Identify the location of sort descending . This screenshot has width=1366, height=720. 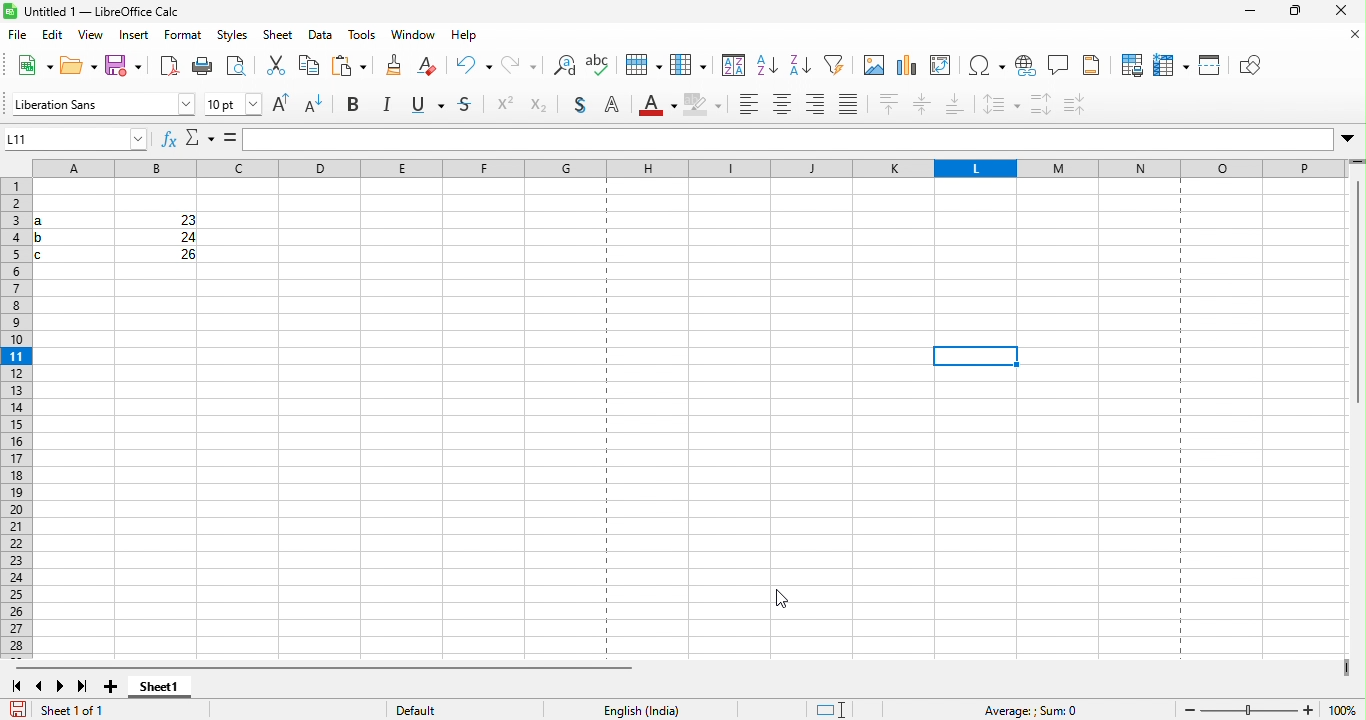
(767, 65).